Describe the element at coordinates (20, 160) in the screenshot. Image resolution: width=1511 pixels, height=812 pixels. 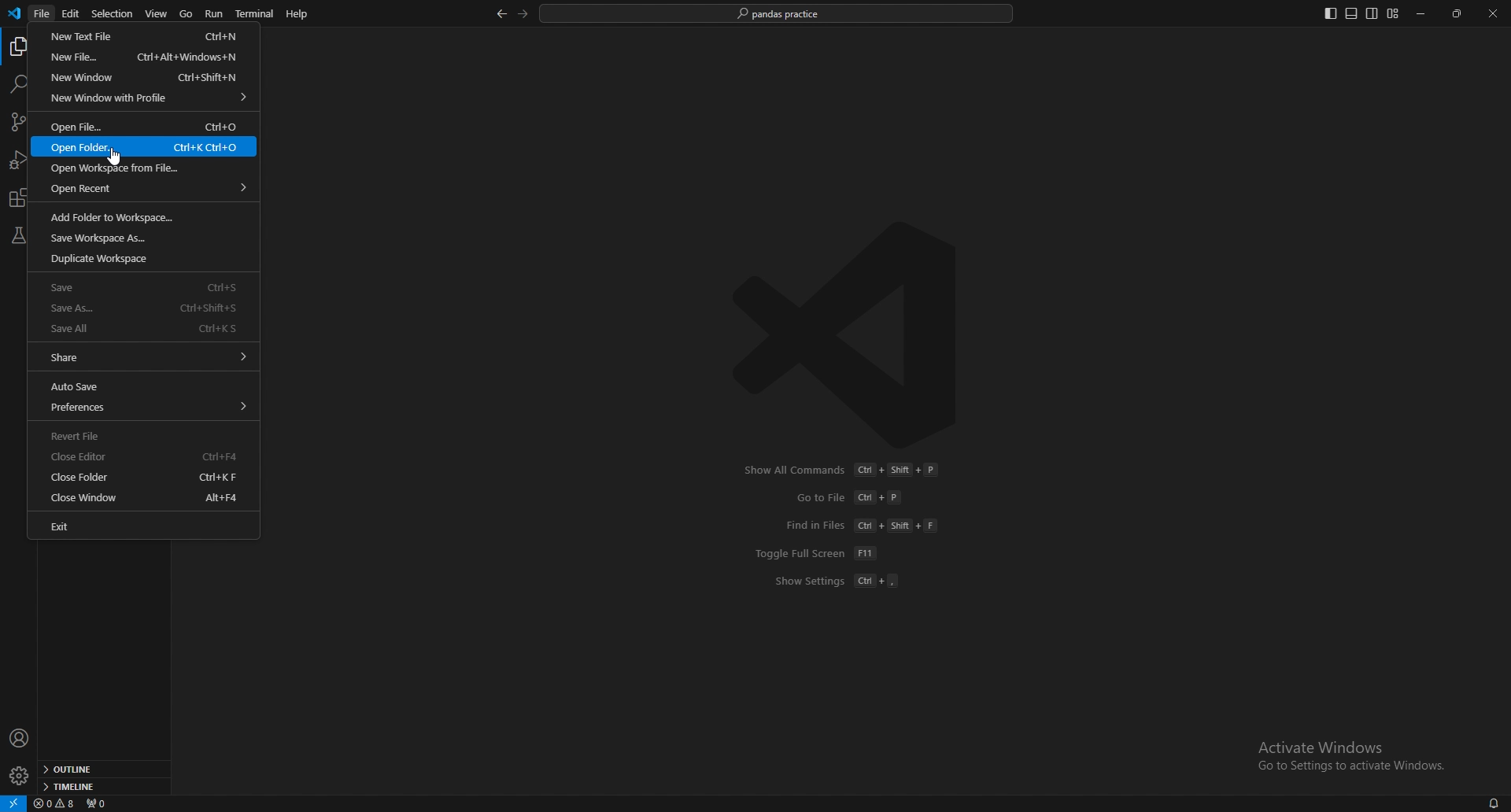
I see `run and debug` at that location.